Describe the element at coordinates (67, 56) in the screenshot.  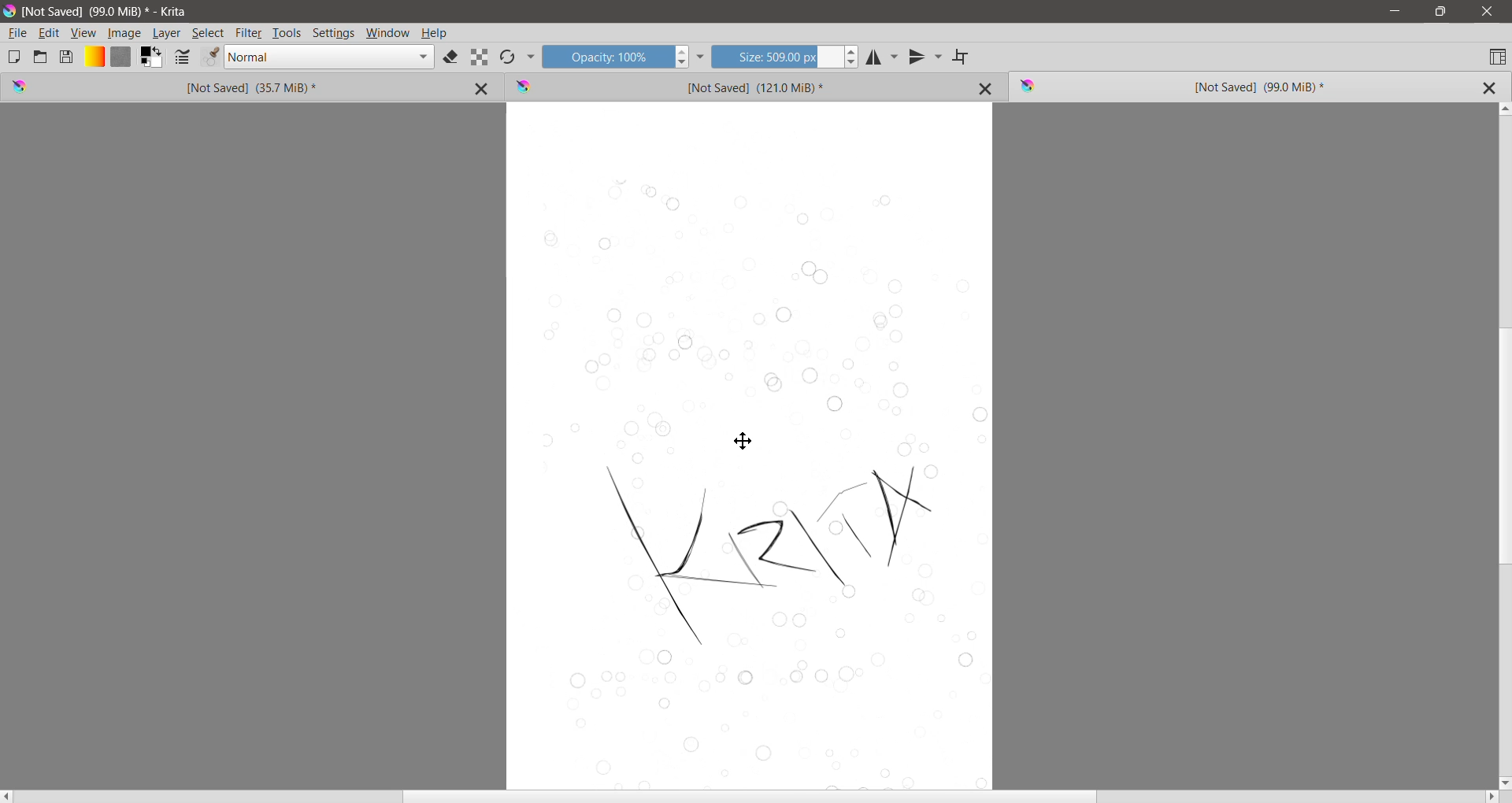
I see `Save` at that location.